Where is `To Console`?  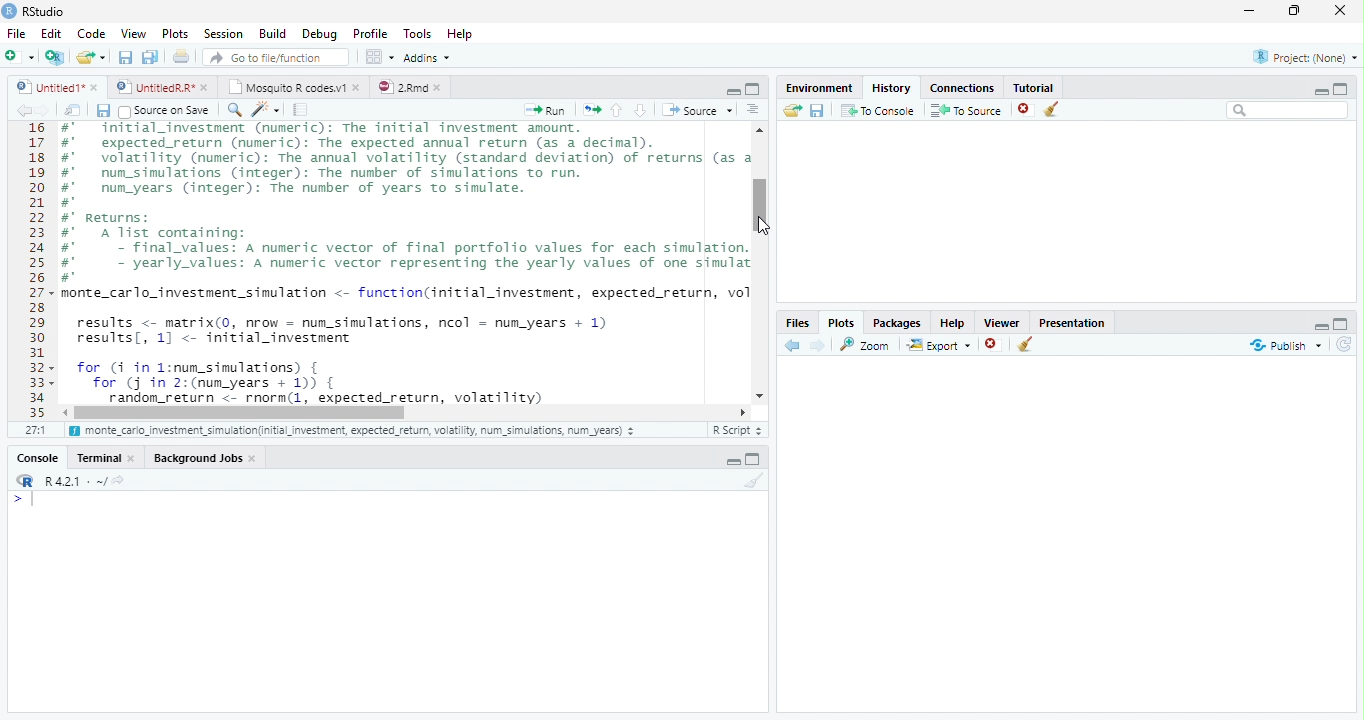
To Console is located at coordinates (877, 110).